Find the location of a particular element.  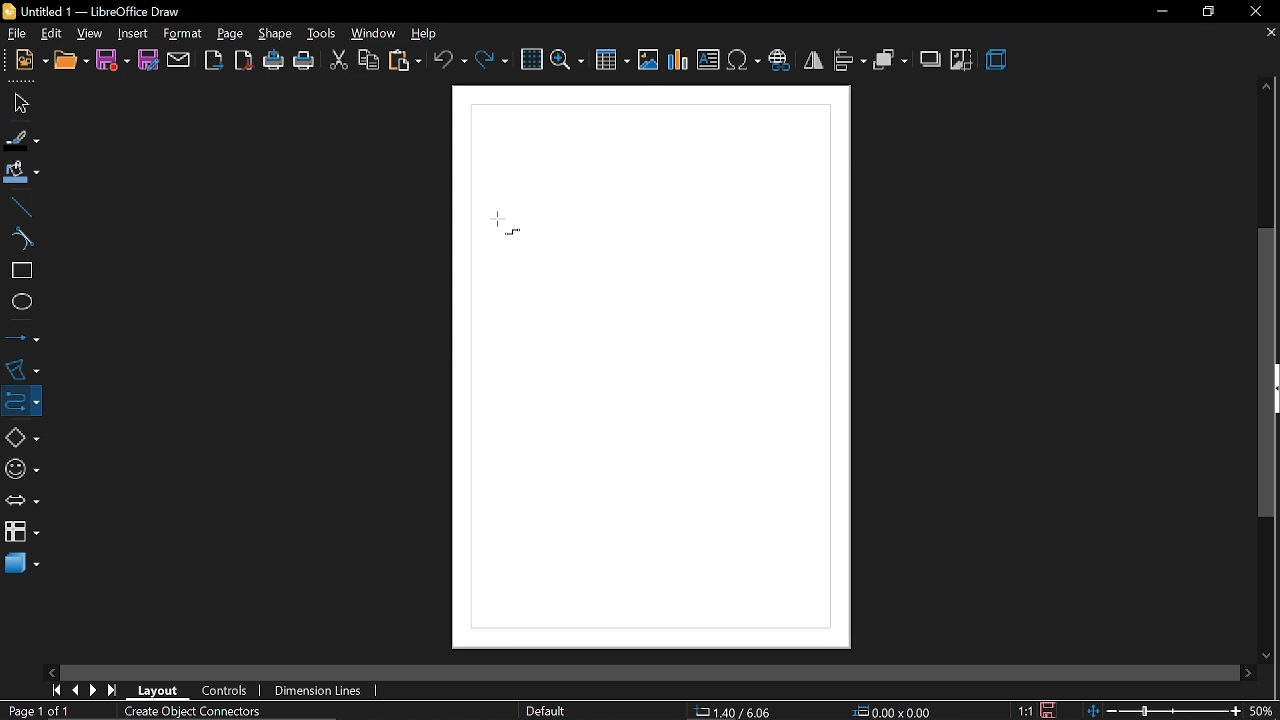

move up is located at coordinates (1267, 88).